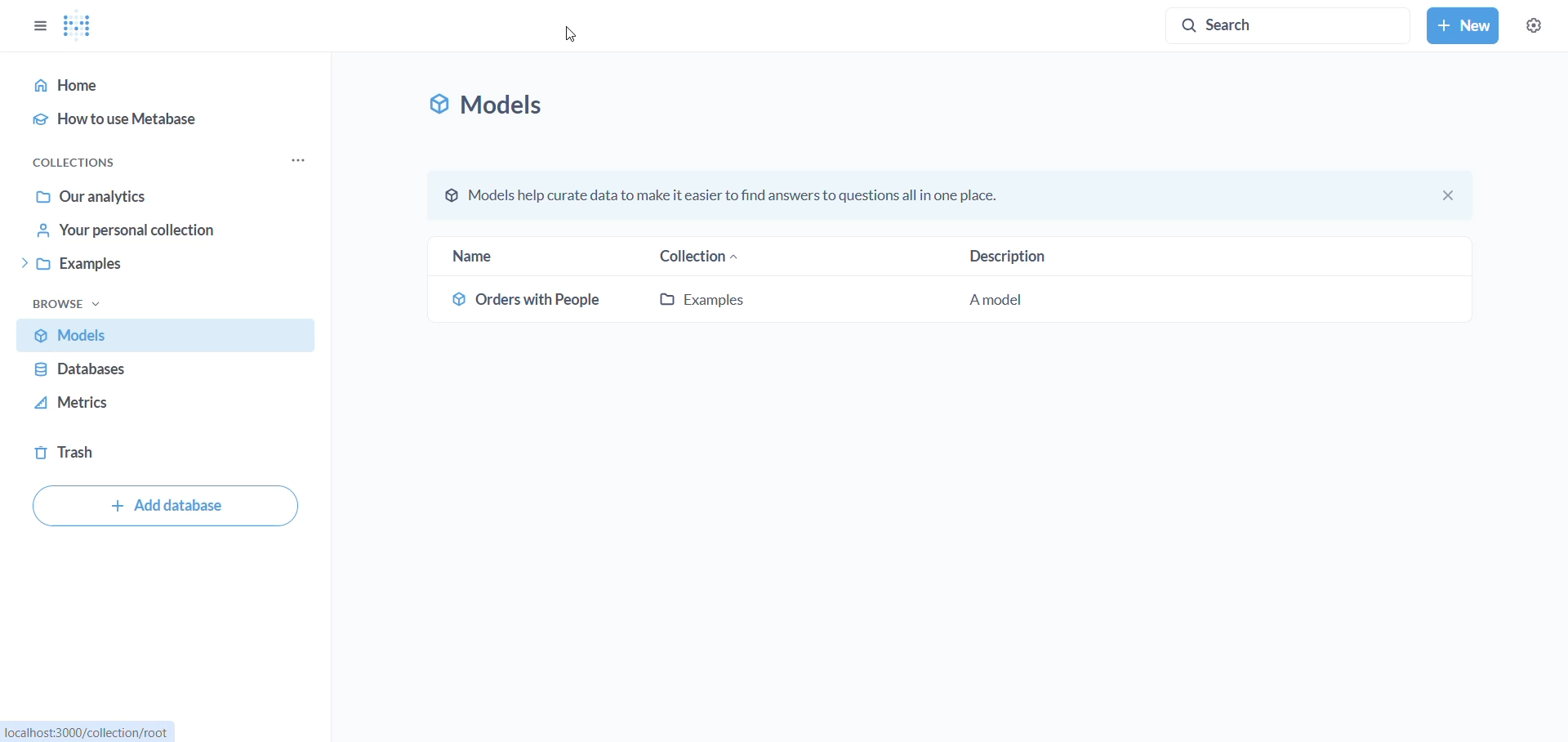 The height and width of the screenshot is (742, 1568). What do you see at coordinates (1288, 25) in the screenshot?
I see `Search button` at bounding box center [1288, 25].